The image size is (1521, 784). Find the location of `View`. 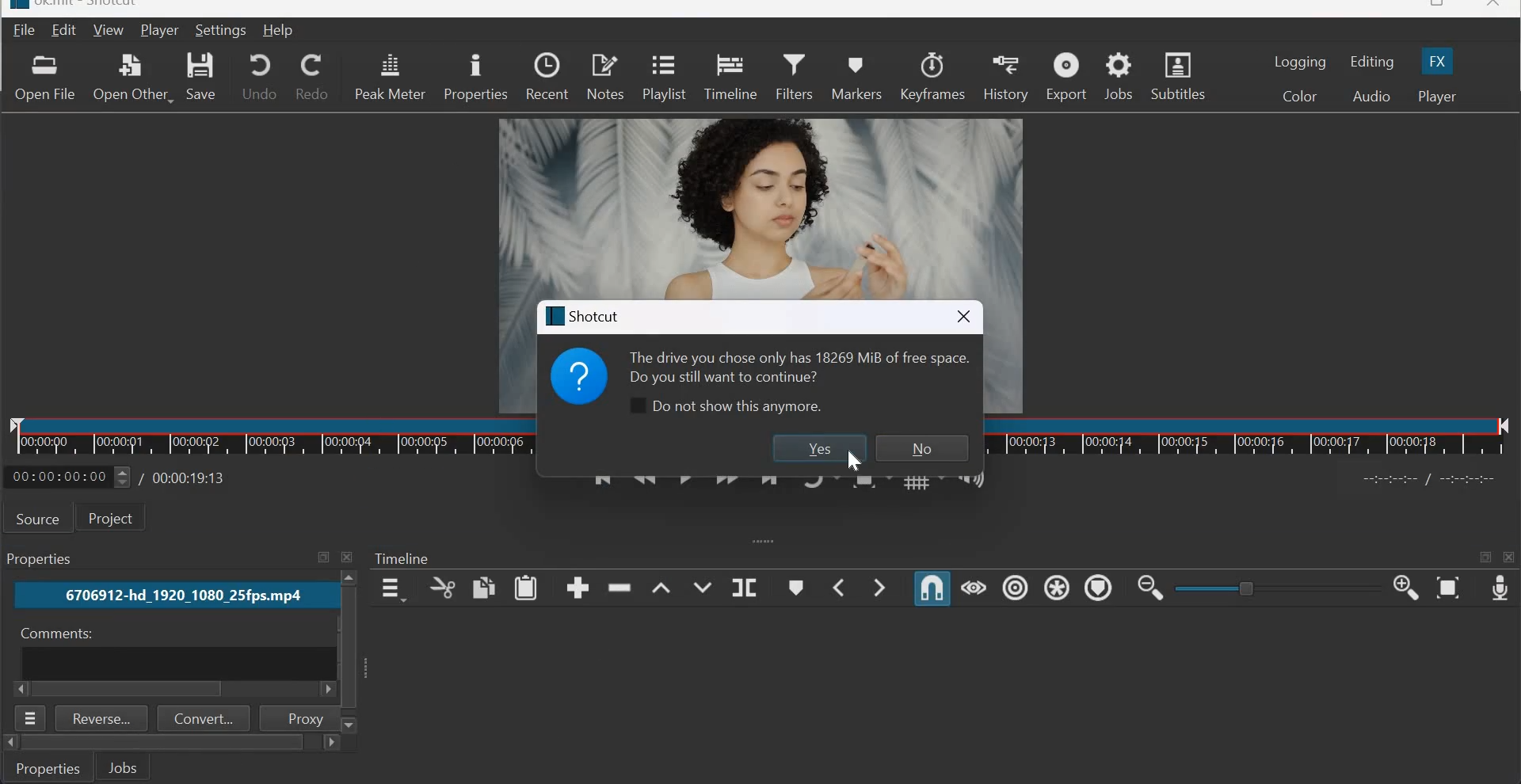

View is located at coordinates (109, 29).